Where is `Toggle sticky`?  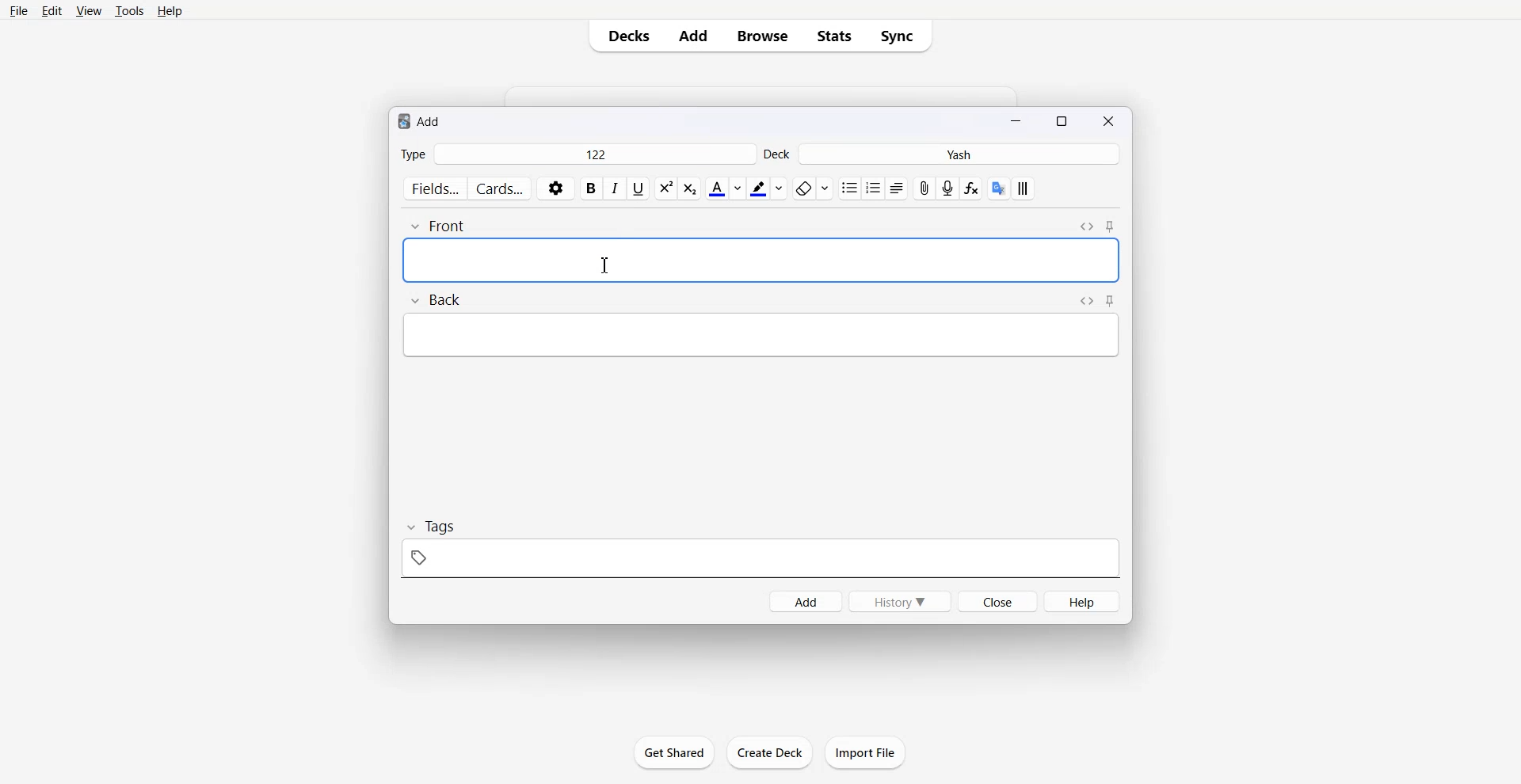
Toggle sticky is located at coordinates (1111, 301).